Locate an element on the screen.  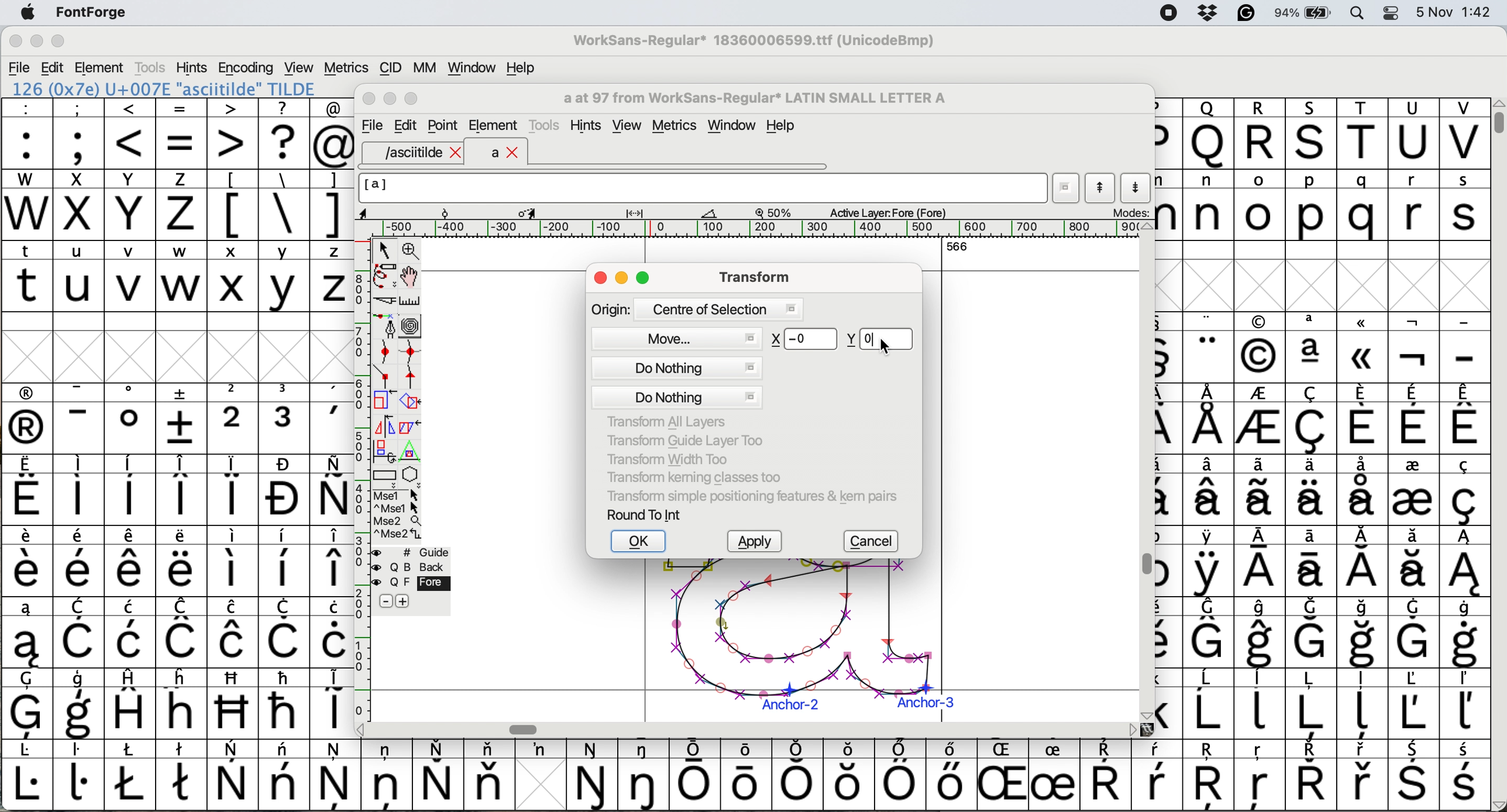
symbol is located at coordinates (181, 562).